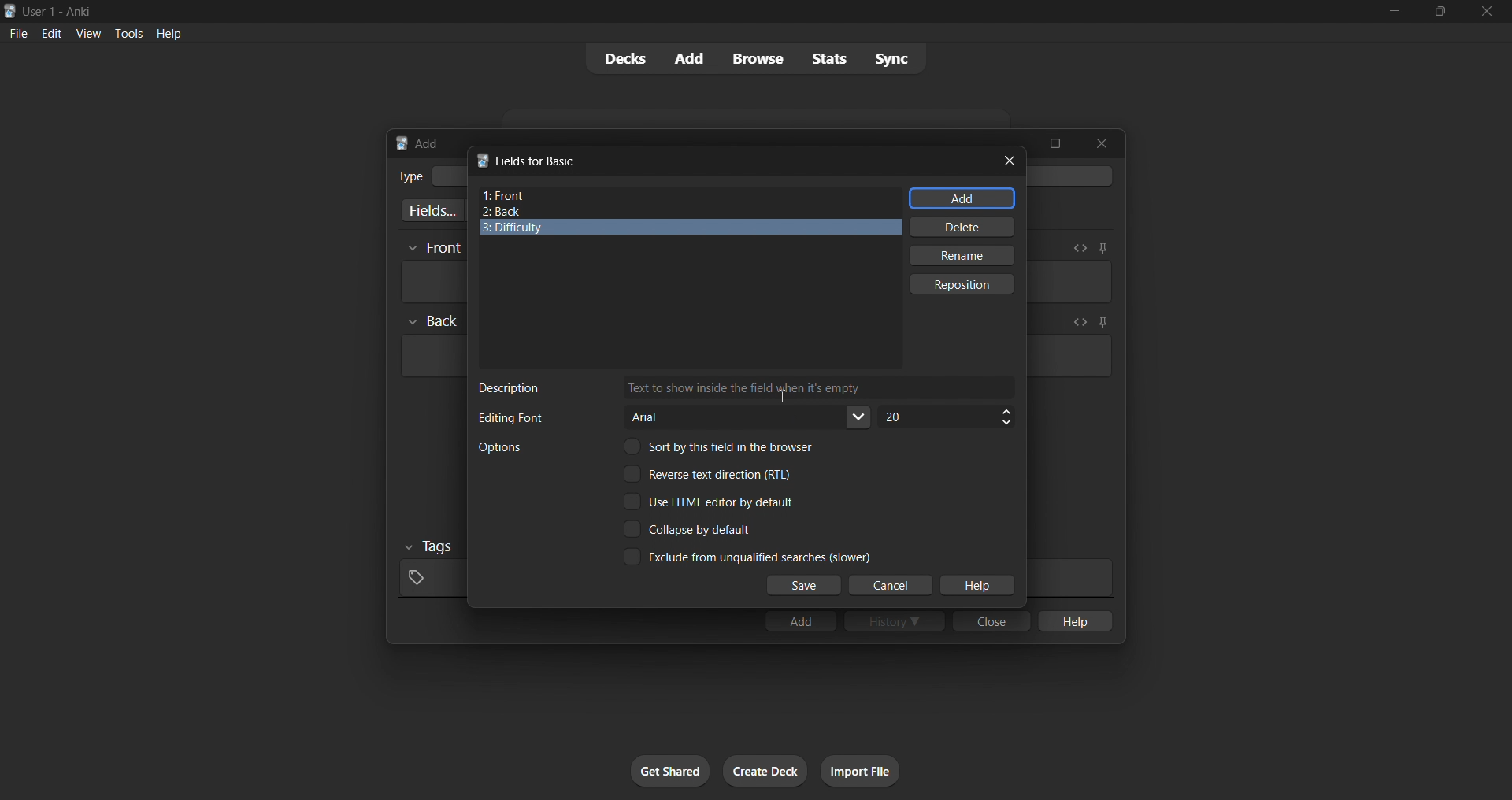 The image size is (1512, 800). Describe the element at coordinates (1010, 161) in the screenshot. I see `close` at that location.